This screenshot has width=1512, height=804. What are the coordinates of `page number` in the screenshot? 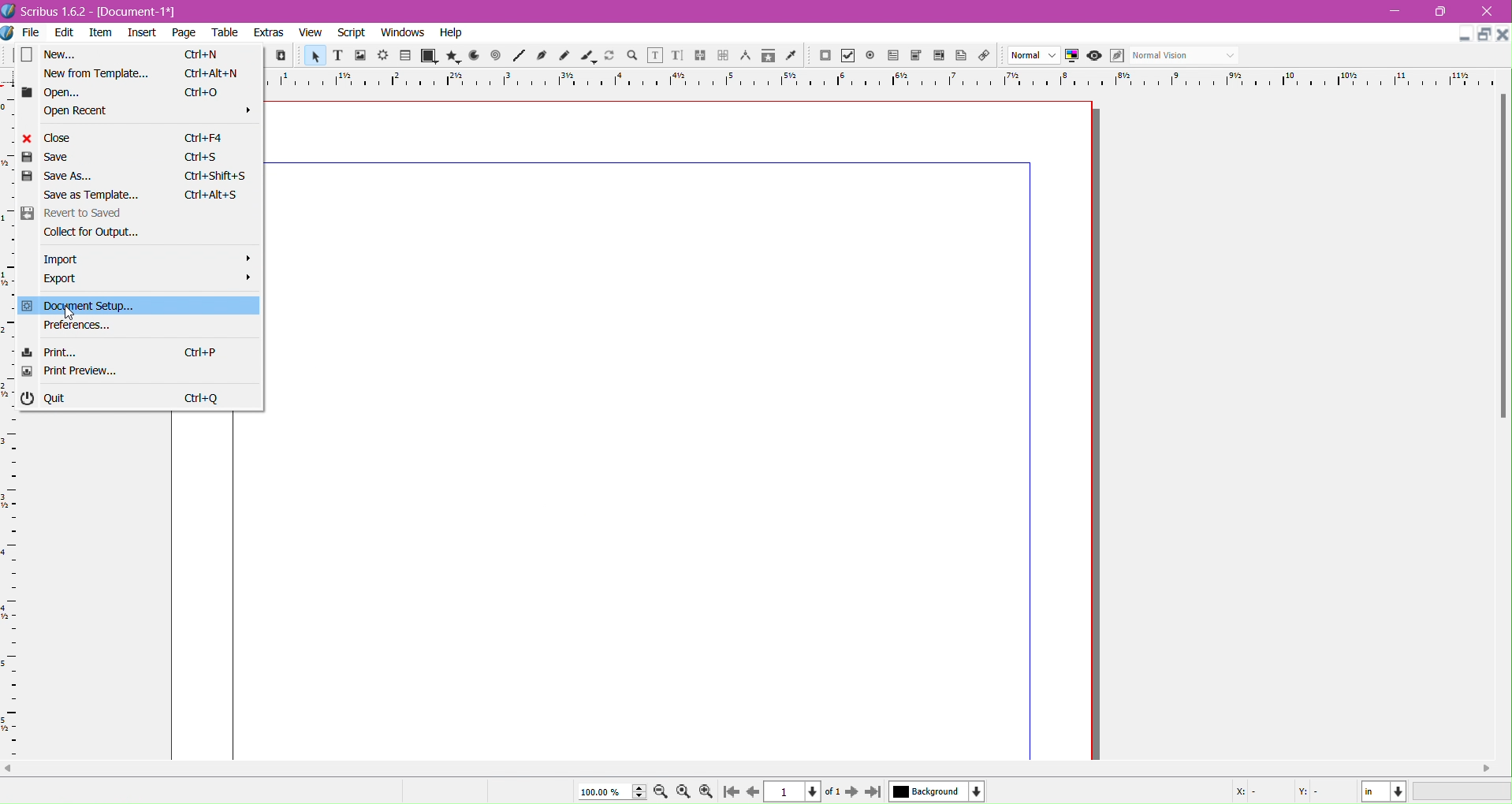 It's located at (795, 792).